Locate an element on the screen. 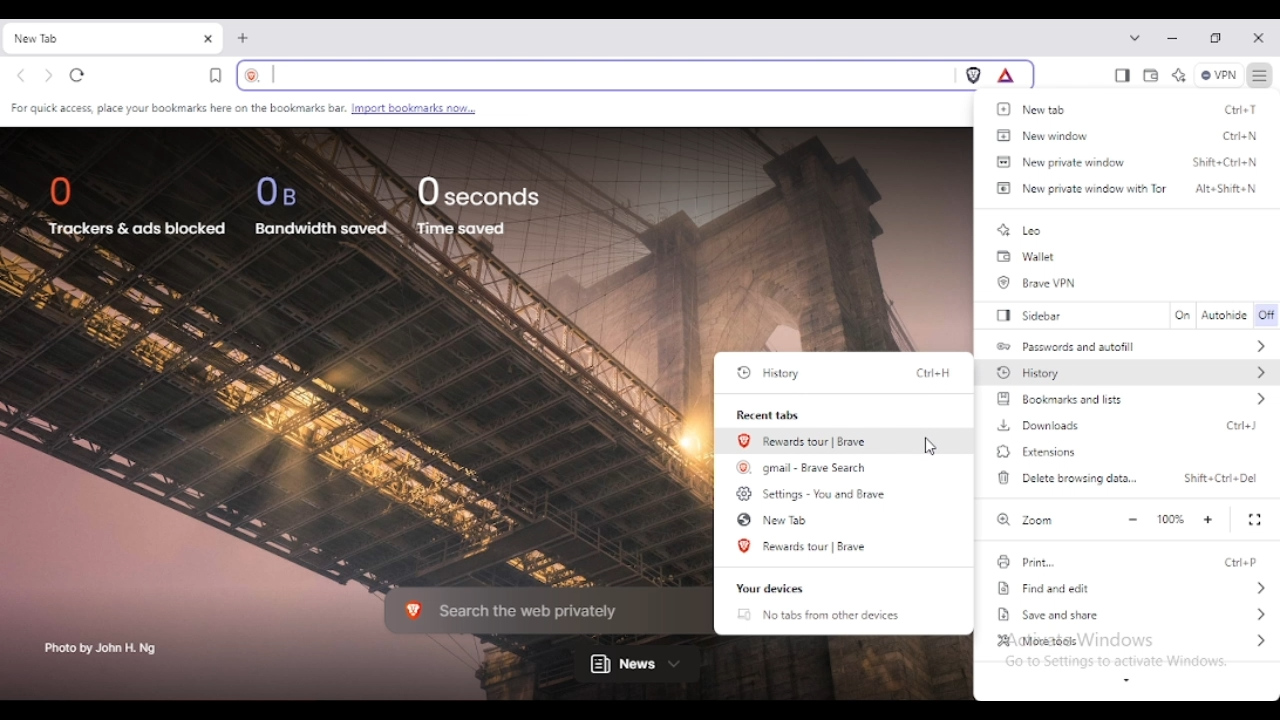 This screenshot has height=720, width=1280. shortcut for print is located at coordinates (1242, 562).